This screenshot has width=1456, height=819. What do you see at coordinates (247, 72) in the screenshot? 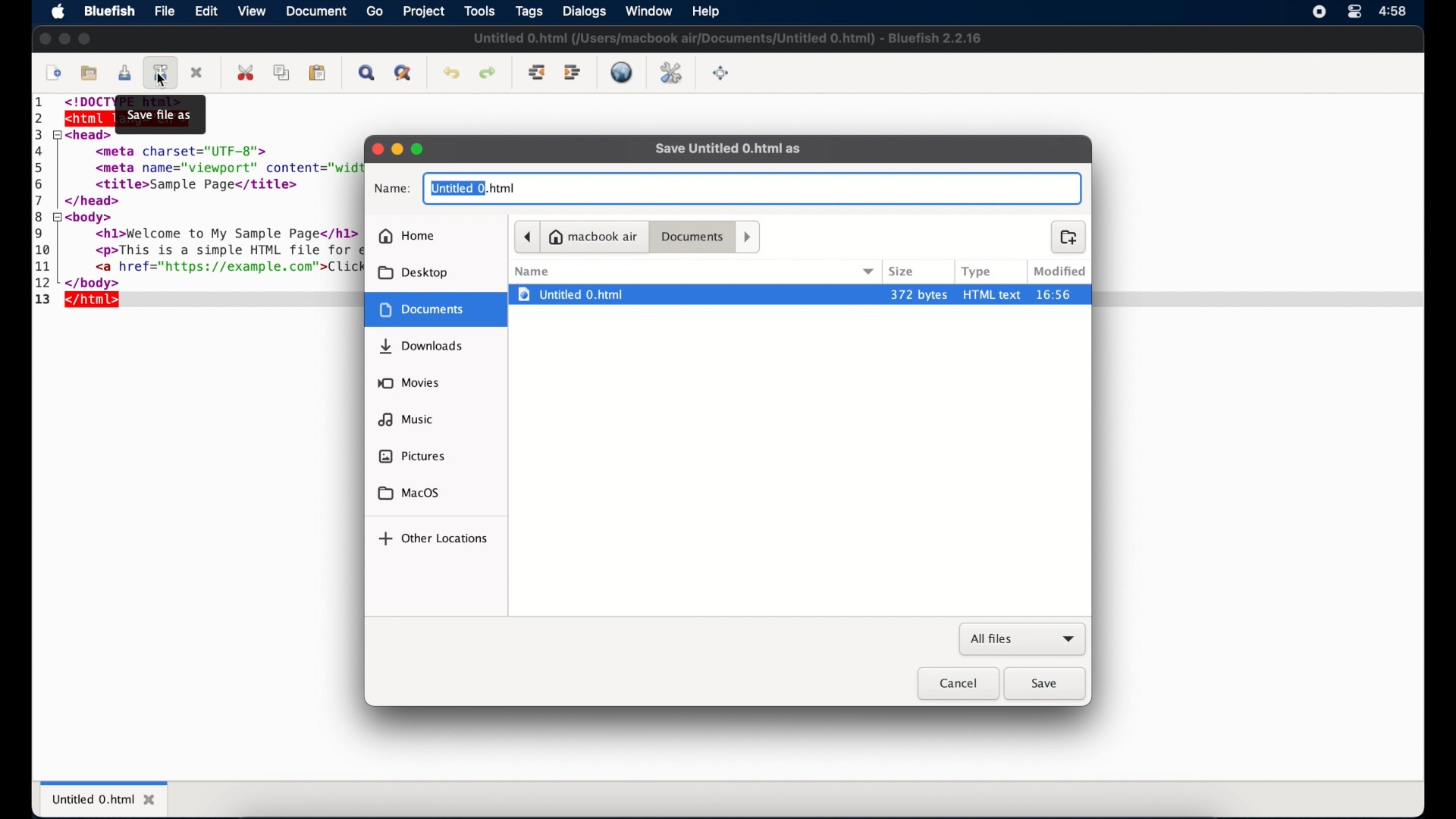
I see `cut` at bounding box center [247, 72].